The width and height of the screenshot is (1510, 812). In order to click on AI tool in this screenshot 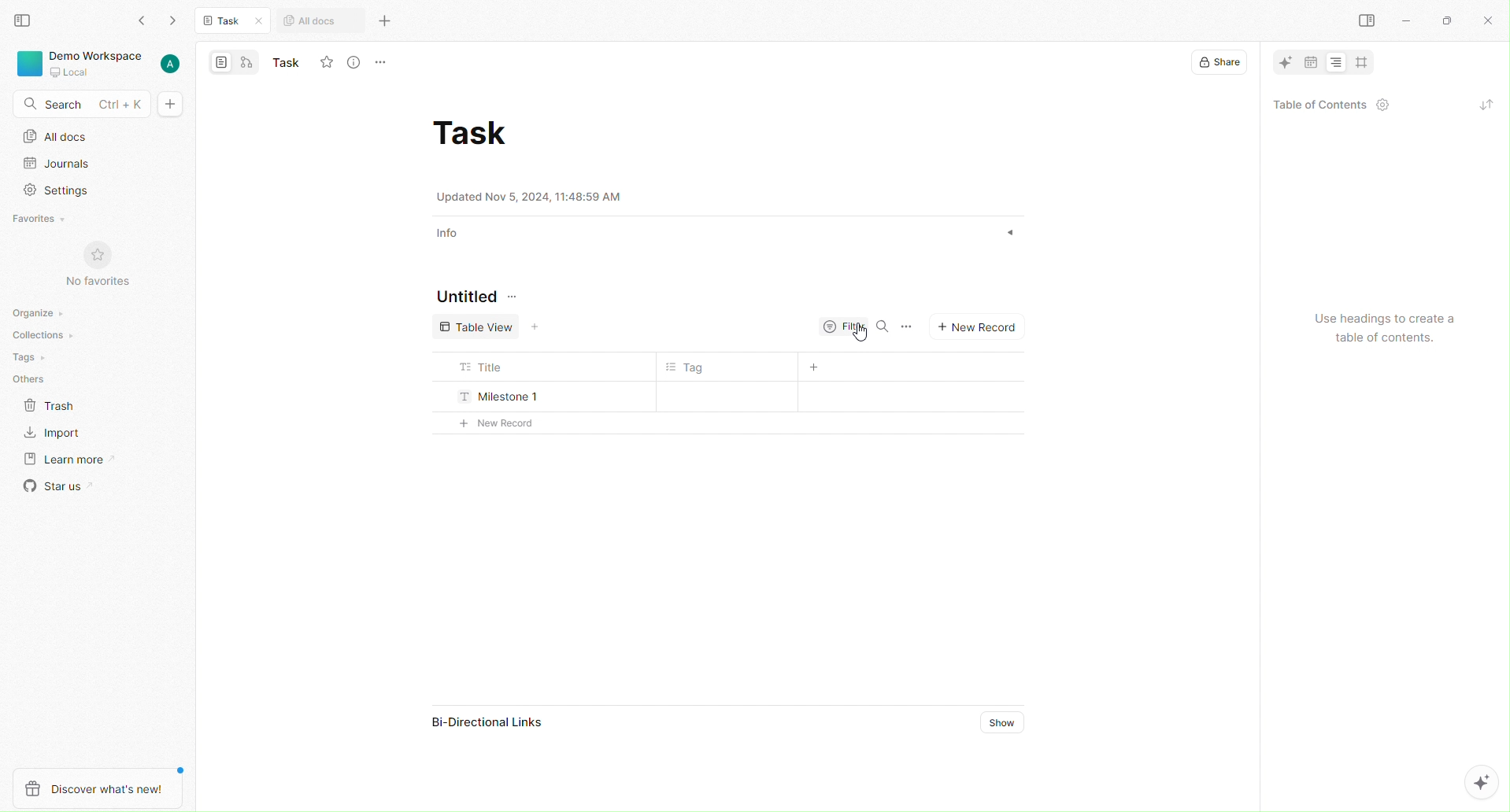, I will do `click(1284, 65)`.